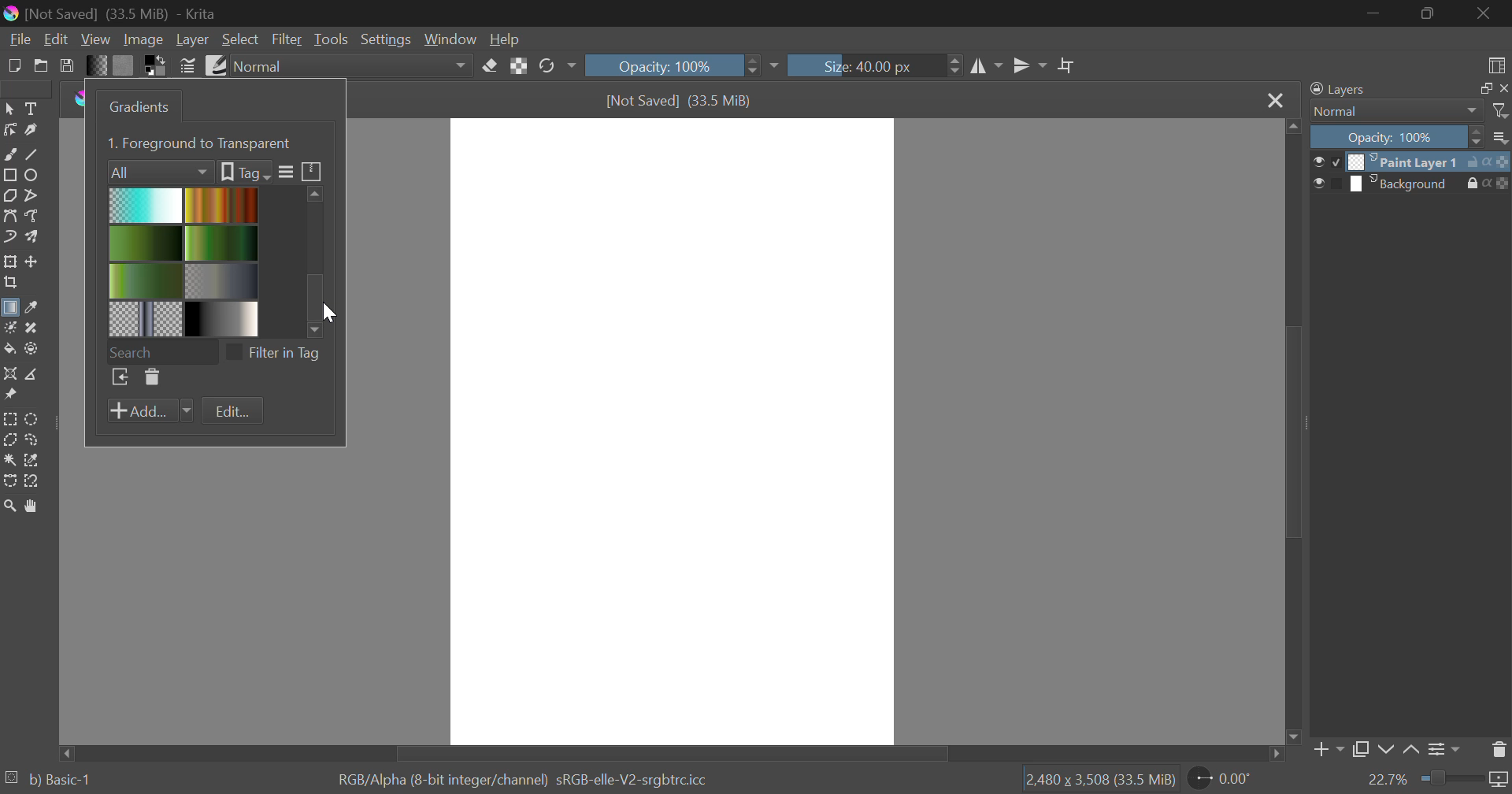 This screenshot has height=794, width=1512. Describe the element at coordinates (1386, 751) in the screenshot. I see `Move Layer Down` at that location.